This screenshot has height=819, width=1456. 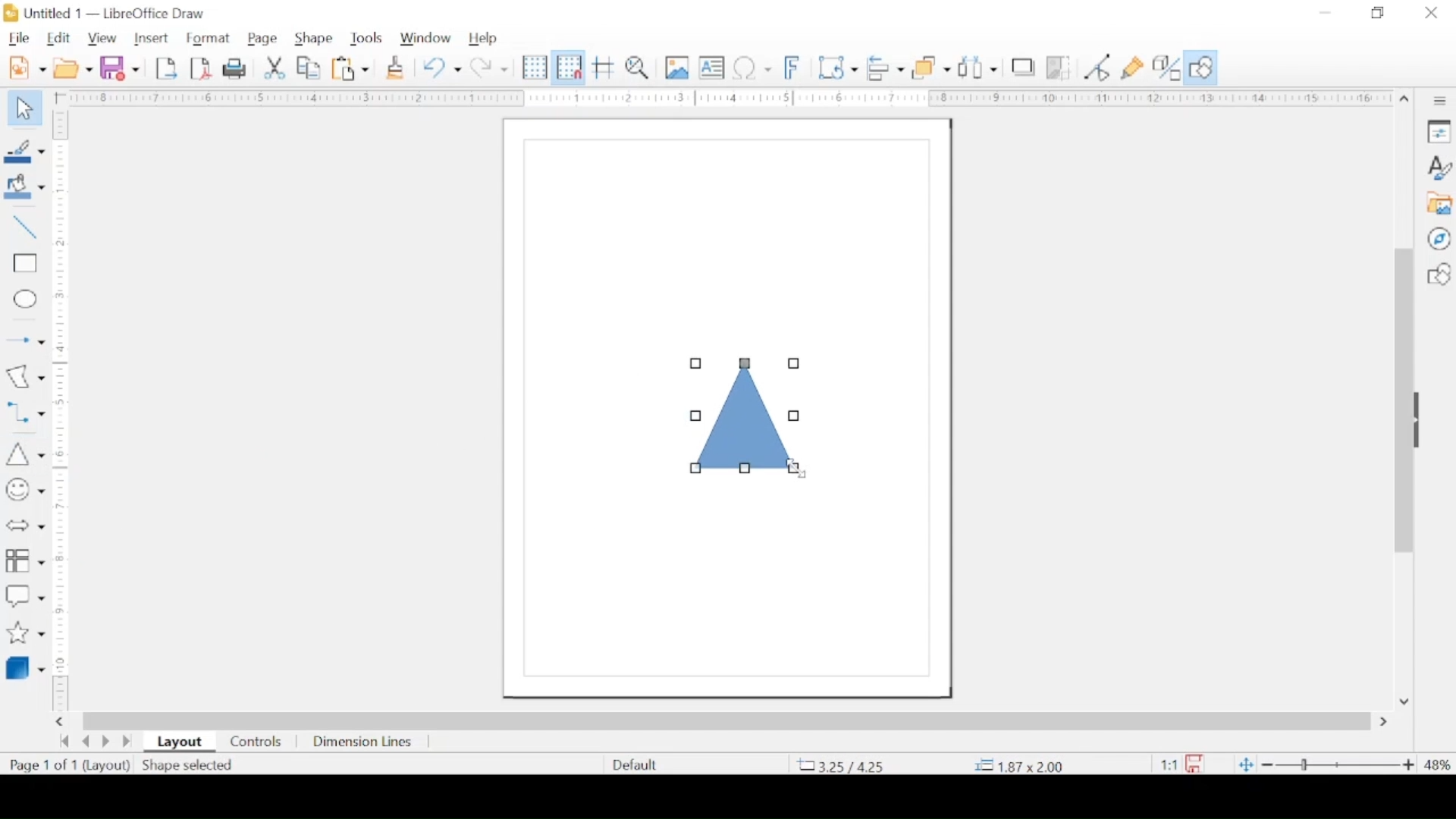 I want to click on this document has been modified, so click(x=1178, y=761).